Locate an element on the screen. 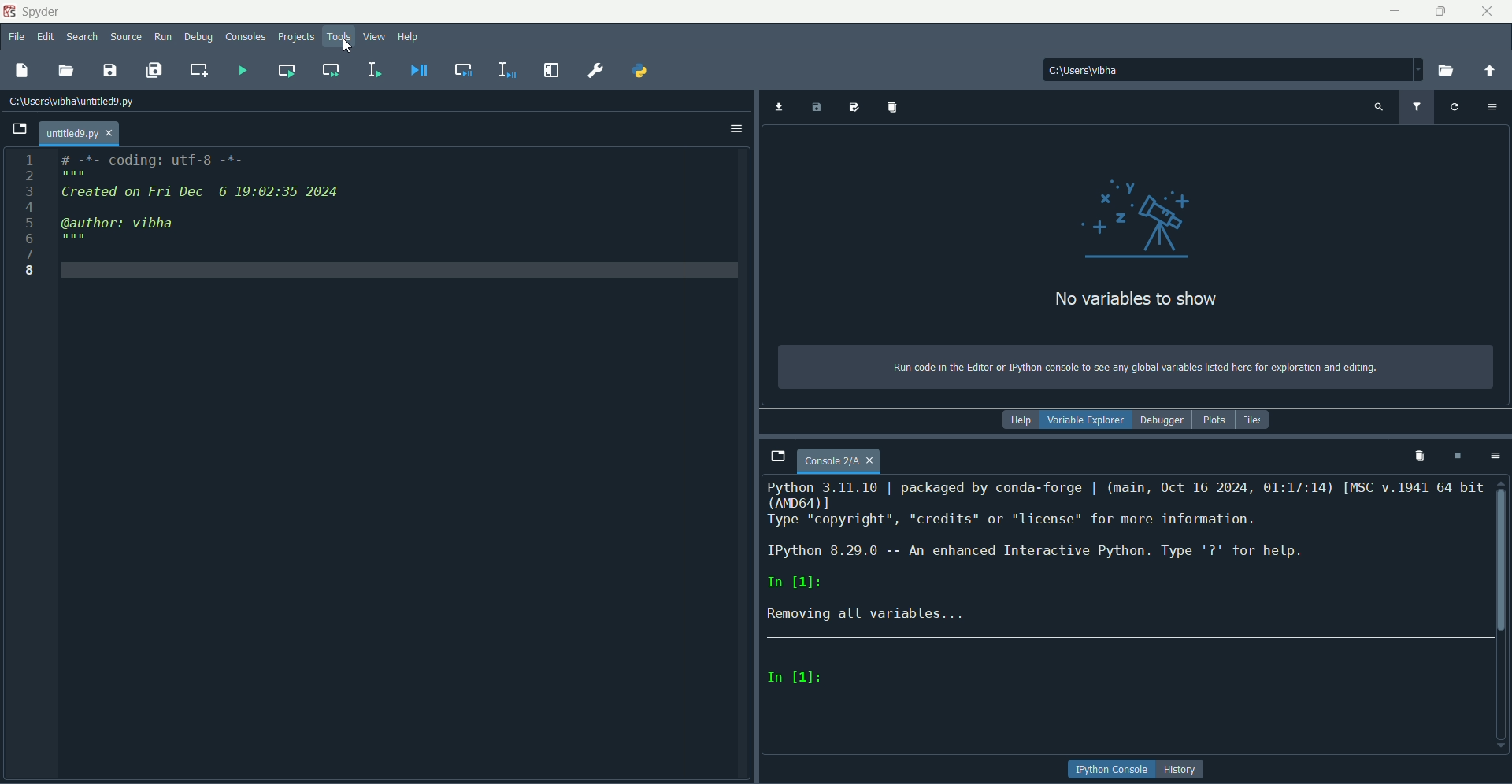 This screenshot has height=784, width=1512. source is located at coordinates (127, 37).